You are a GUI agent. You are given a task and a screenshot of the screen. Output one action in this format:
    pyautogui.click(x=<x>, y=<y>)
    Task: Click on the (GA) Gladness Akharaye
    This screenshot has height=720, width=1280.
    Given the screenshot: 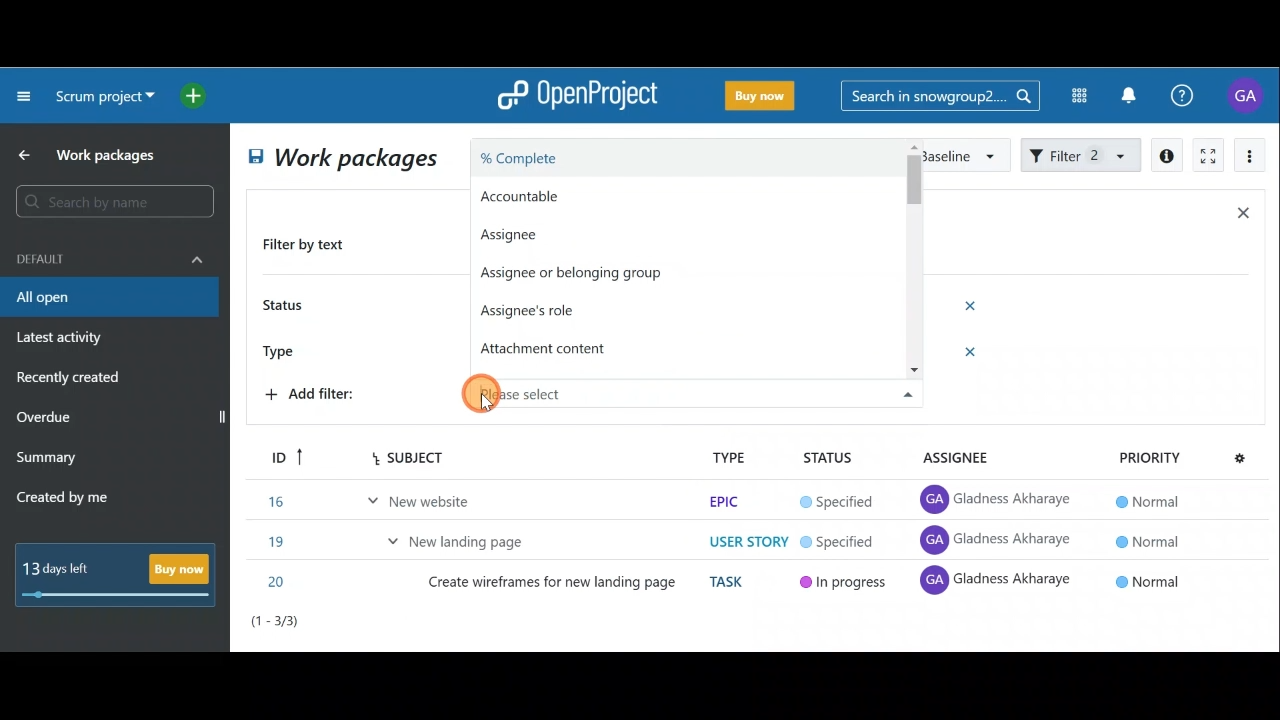 What is the action you would take?
    pyautogui.click(x=999, y=500)
    